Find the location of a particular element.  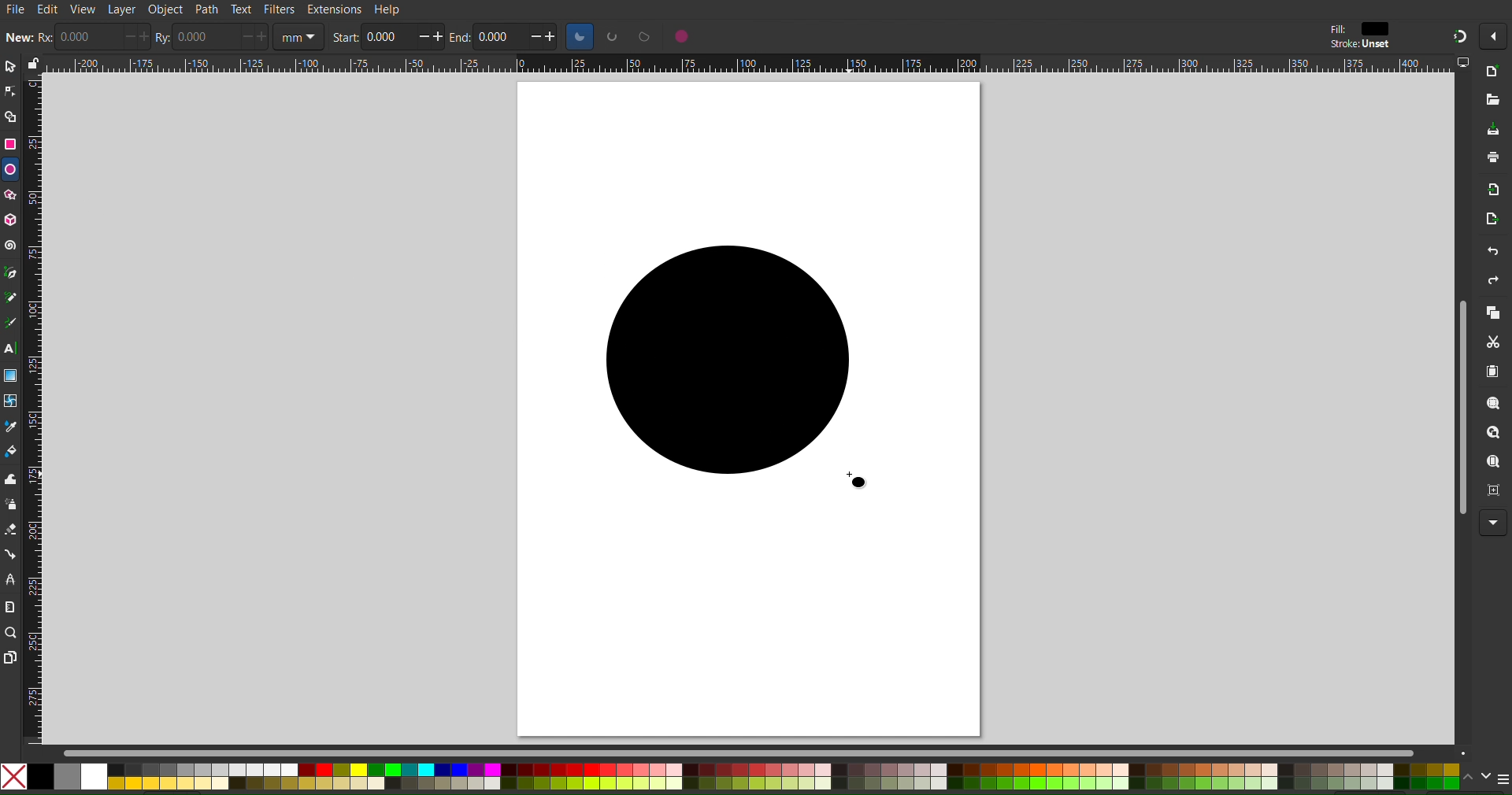

Zoom Drawing is located at coordinates (1492, 433).